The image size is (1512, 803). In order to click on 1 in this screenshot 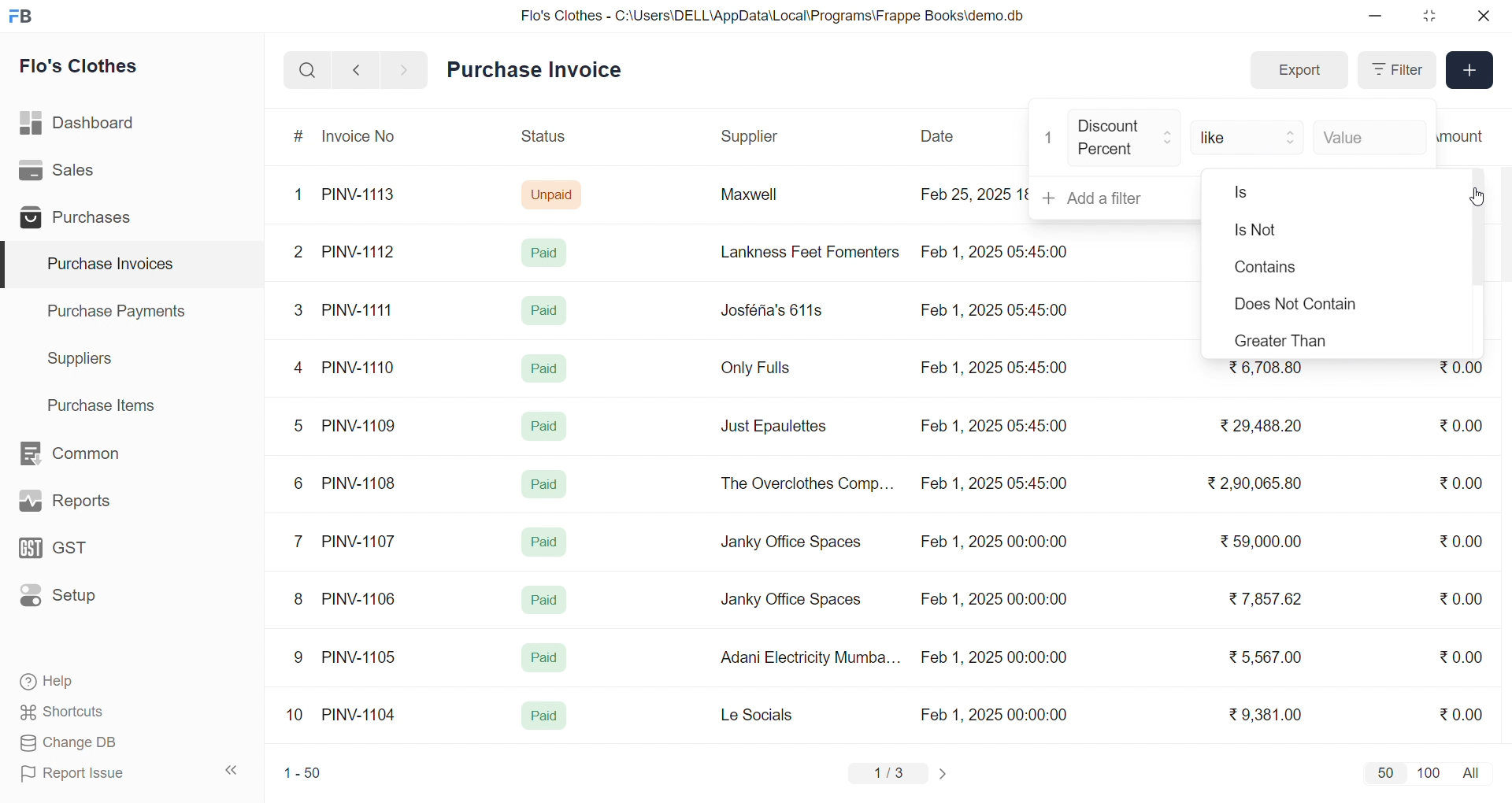, I will do `click(302, 195)`.